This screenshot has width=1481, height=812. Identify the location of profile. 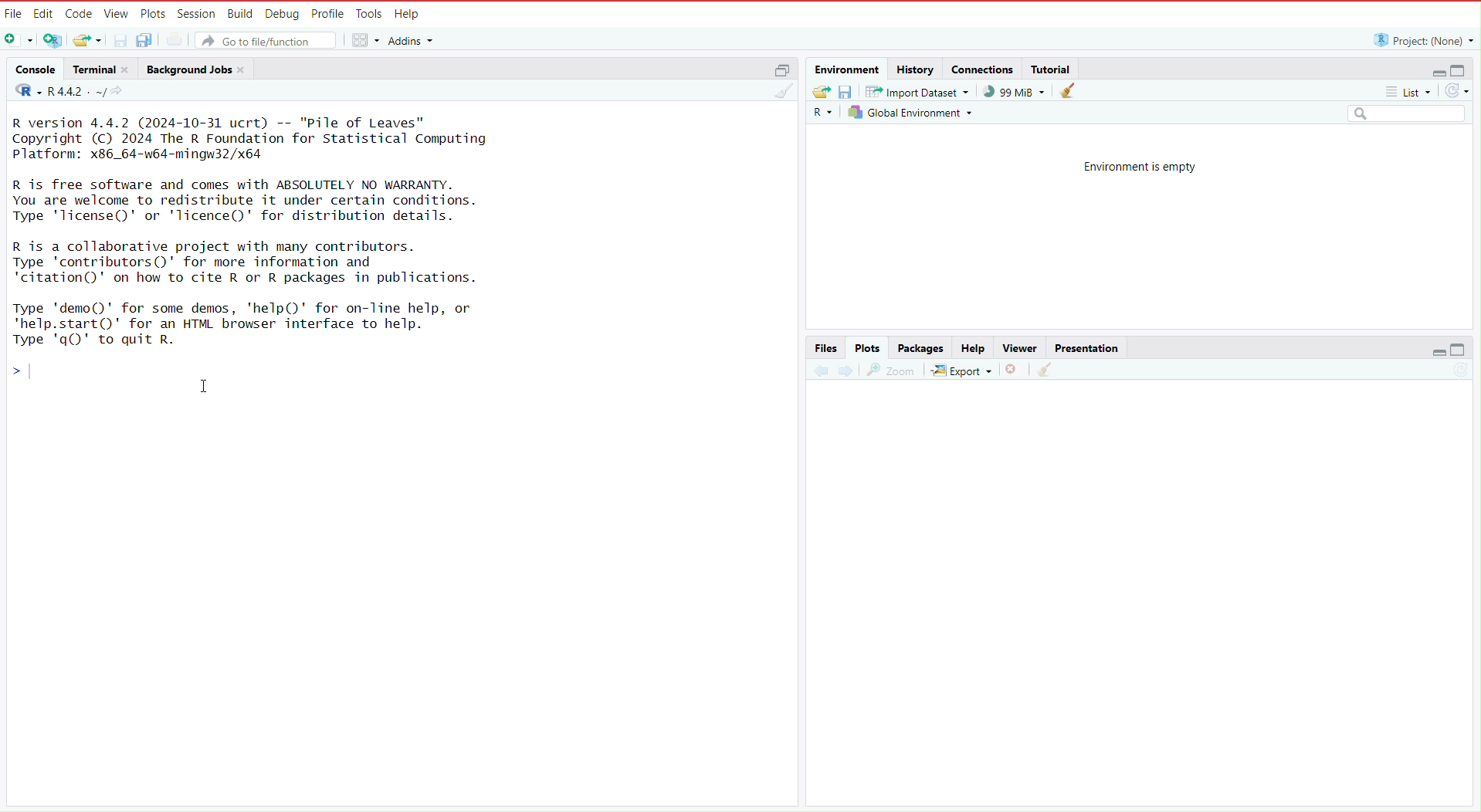
(329, 12).